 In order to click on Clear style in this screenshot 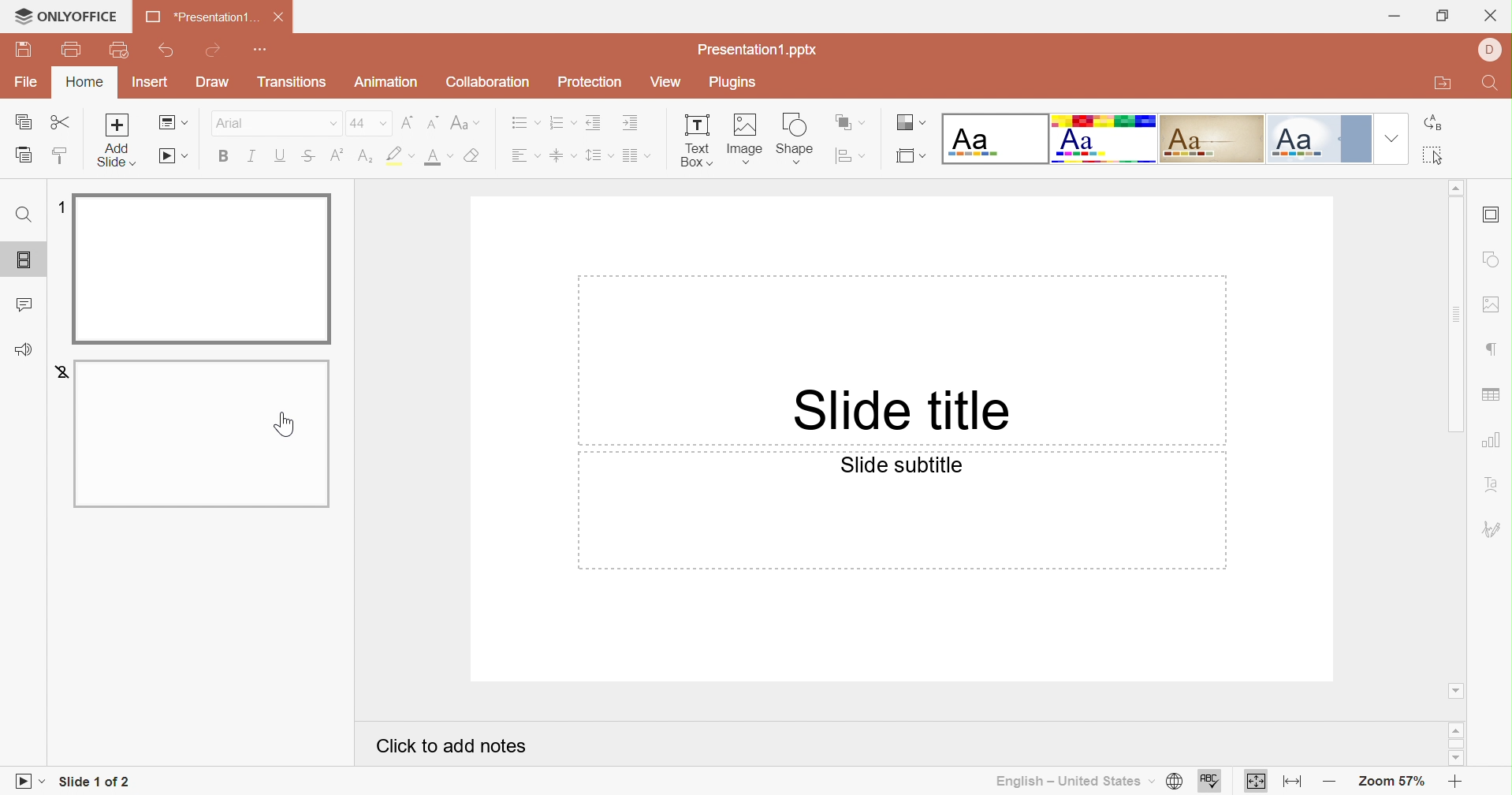, I will do `click(474, 155)`.